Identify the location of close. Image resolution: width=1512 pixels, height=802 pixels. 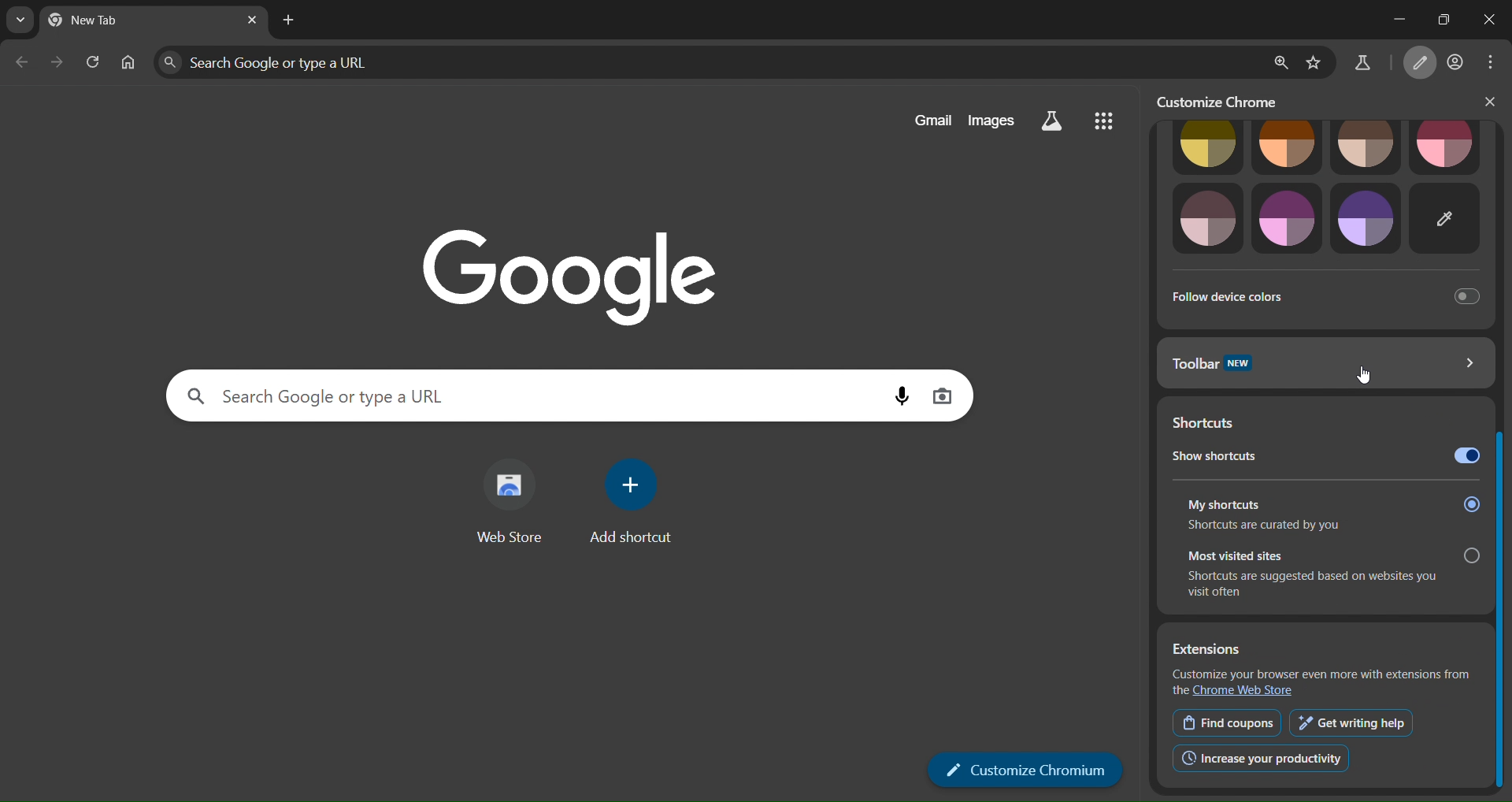
(1491, 22).